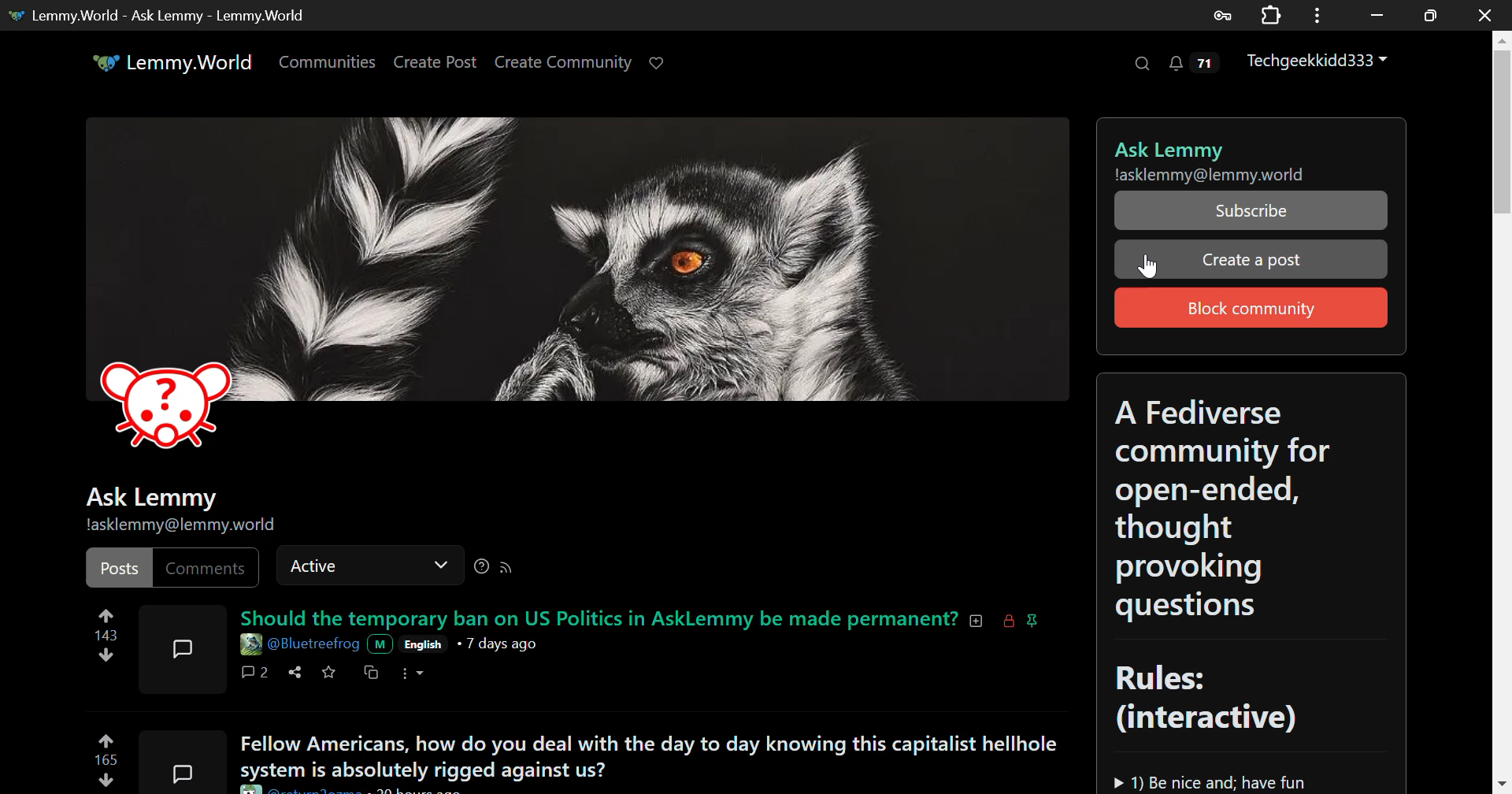 The height and width of the screenshot is (794, 1512). What do you see at coordinates (1251, 308) in the screenshot?
I see `Block community` at bounding box center [1251, 308].